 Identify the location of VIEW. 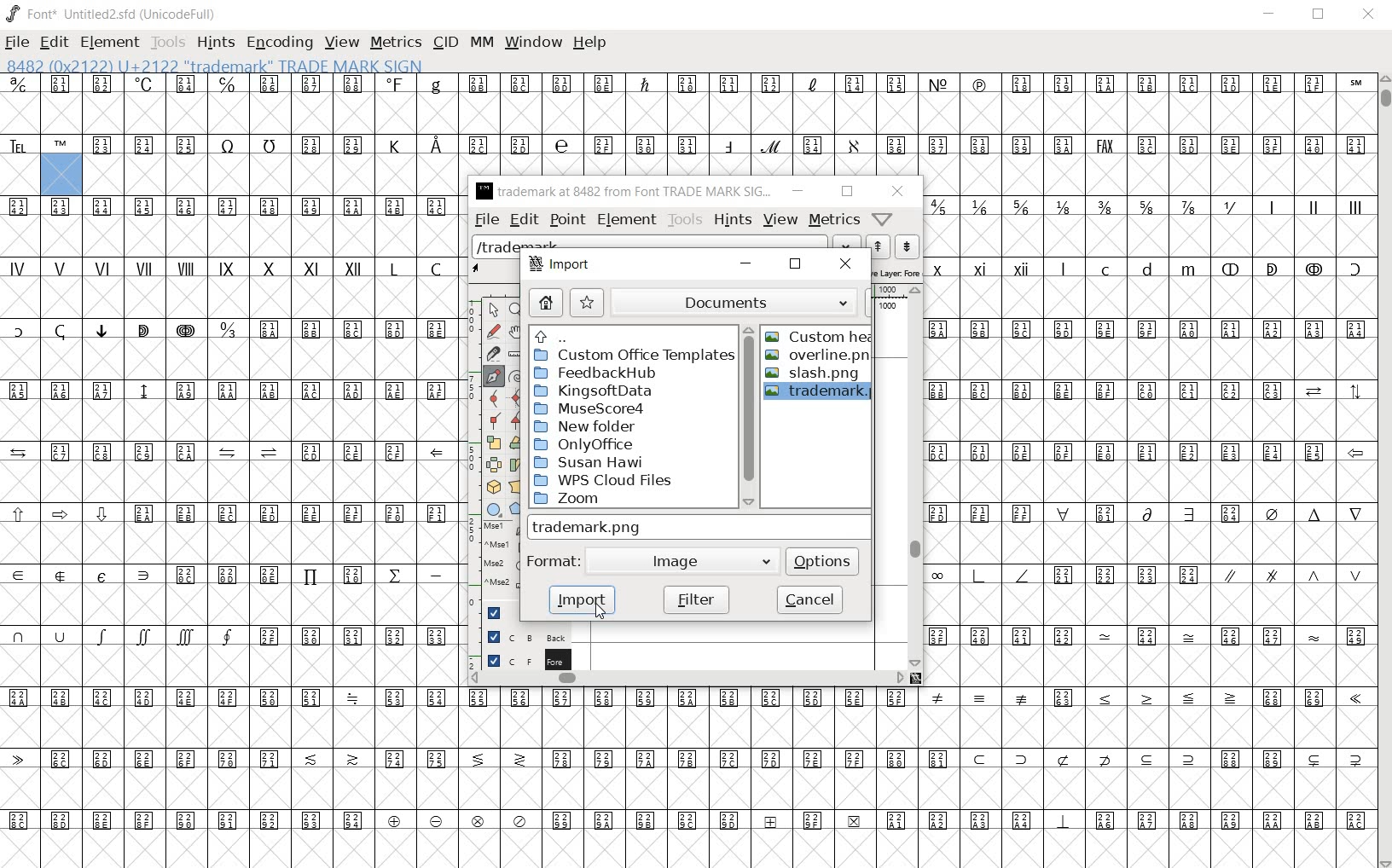
(342, 43).